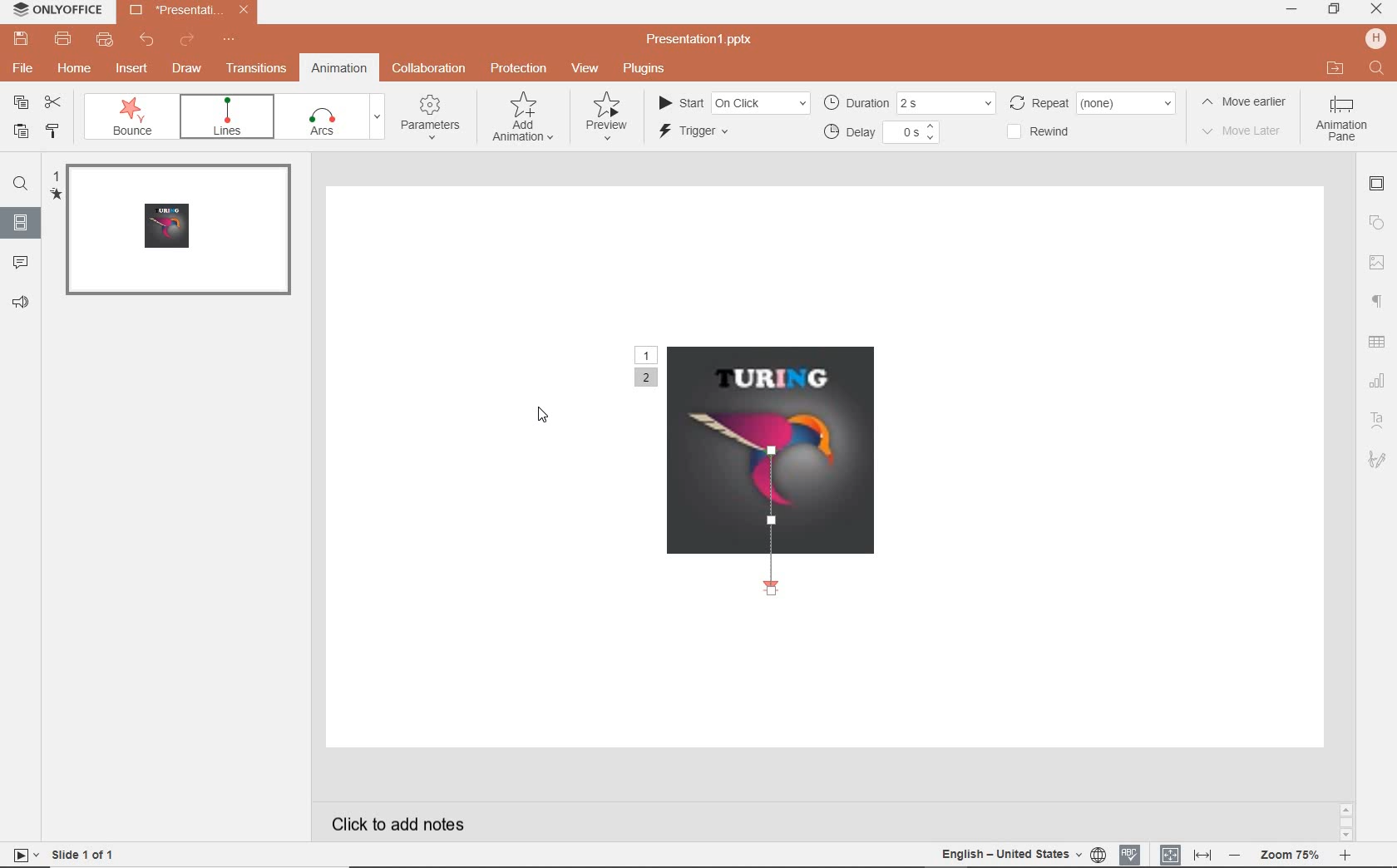  I want to click on protection, so click(518, 70).